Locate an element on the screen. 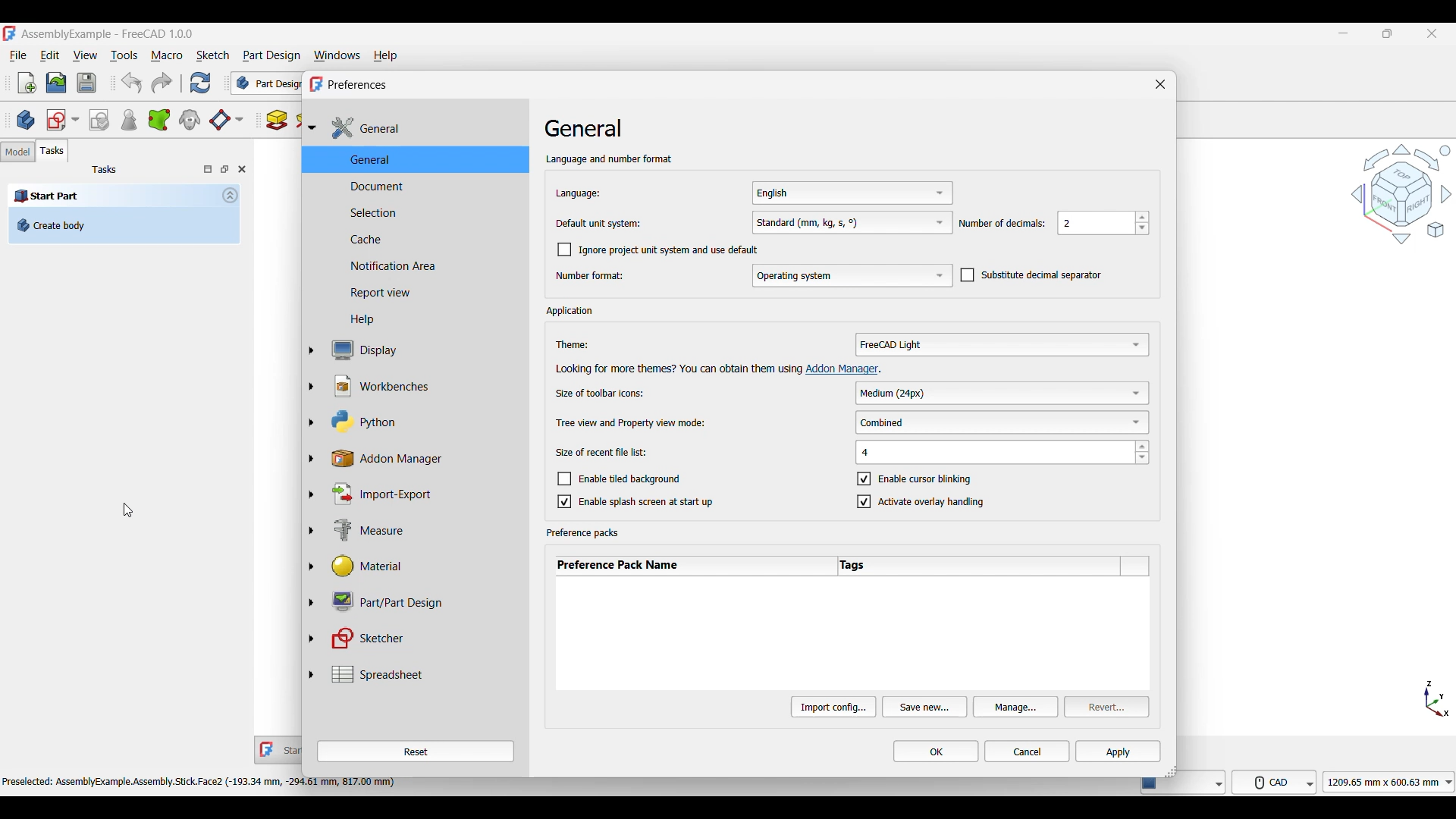  Spreadsheet is located at coordinates (422, 674).